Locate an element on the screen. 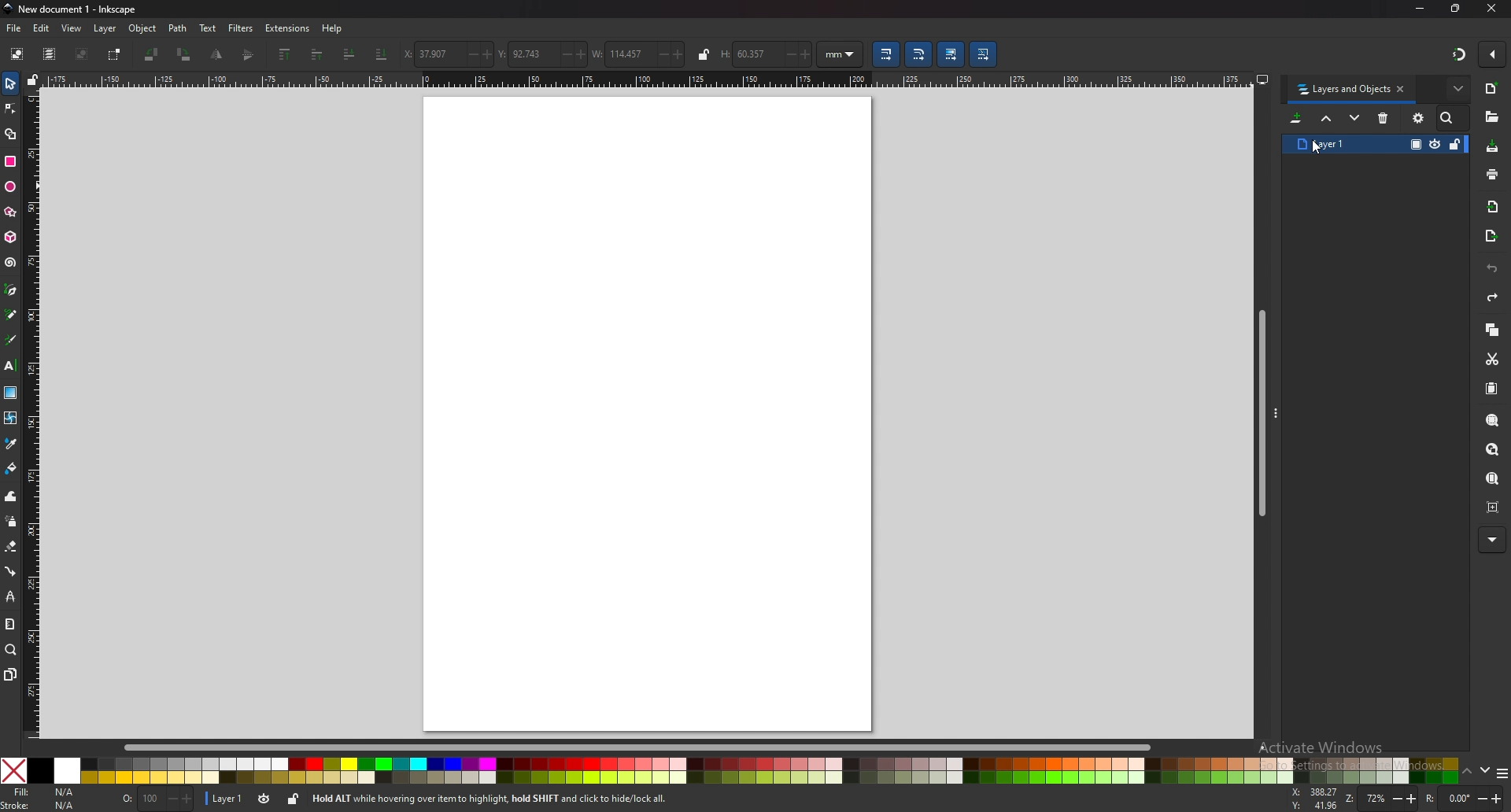 This screenshot has height=812, width=1511. scale radii is located at coordinates (919, 54).